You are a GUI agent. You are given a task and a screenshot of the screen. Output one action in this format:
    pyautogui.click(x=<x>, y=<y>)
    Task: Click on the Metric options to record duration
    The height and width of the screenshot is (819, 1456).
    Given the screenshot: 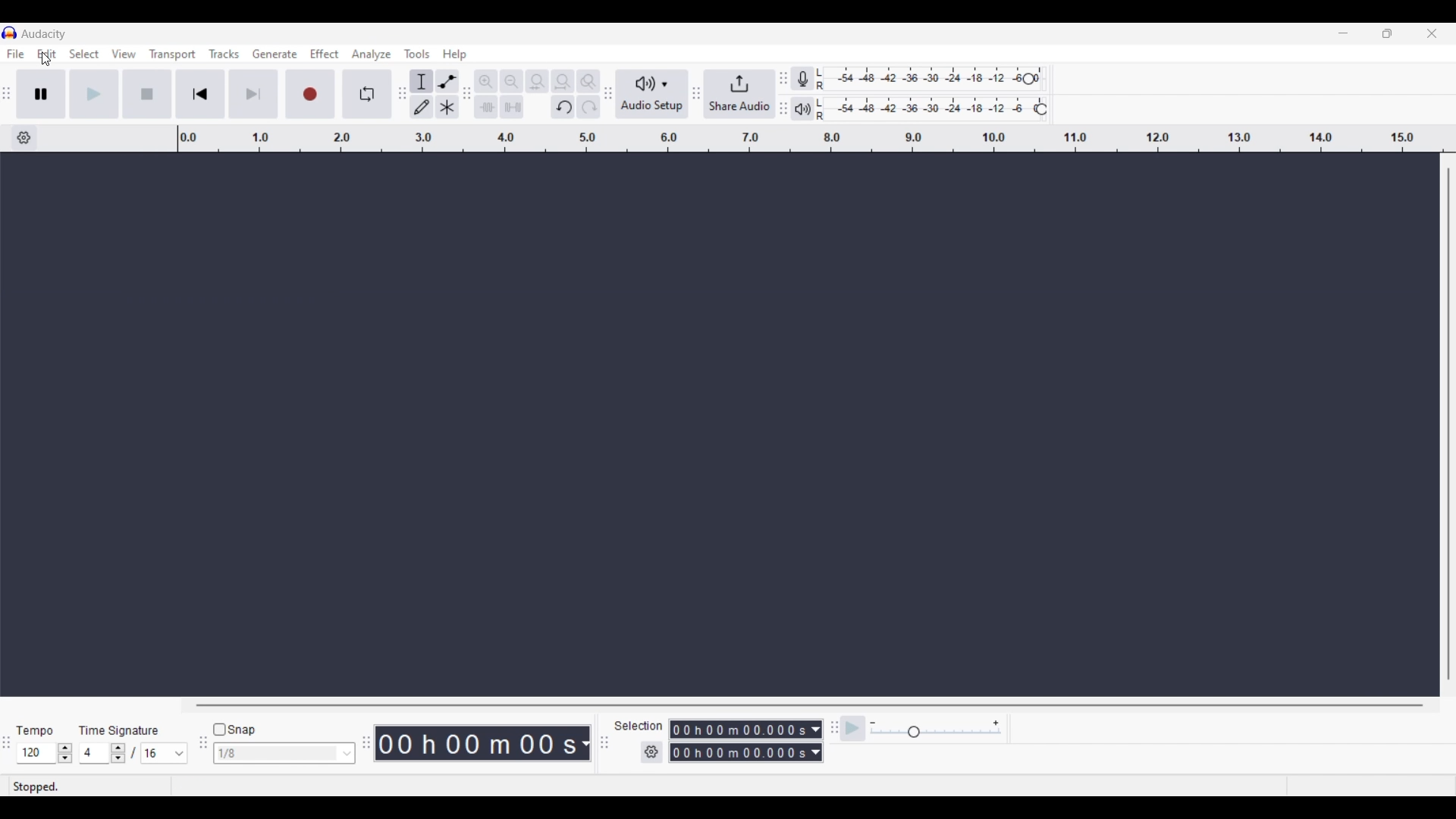 What is the action you would take?
    pyautogui.click(x=814, y=742)
    